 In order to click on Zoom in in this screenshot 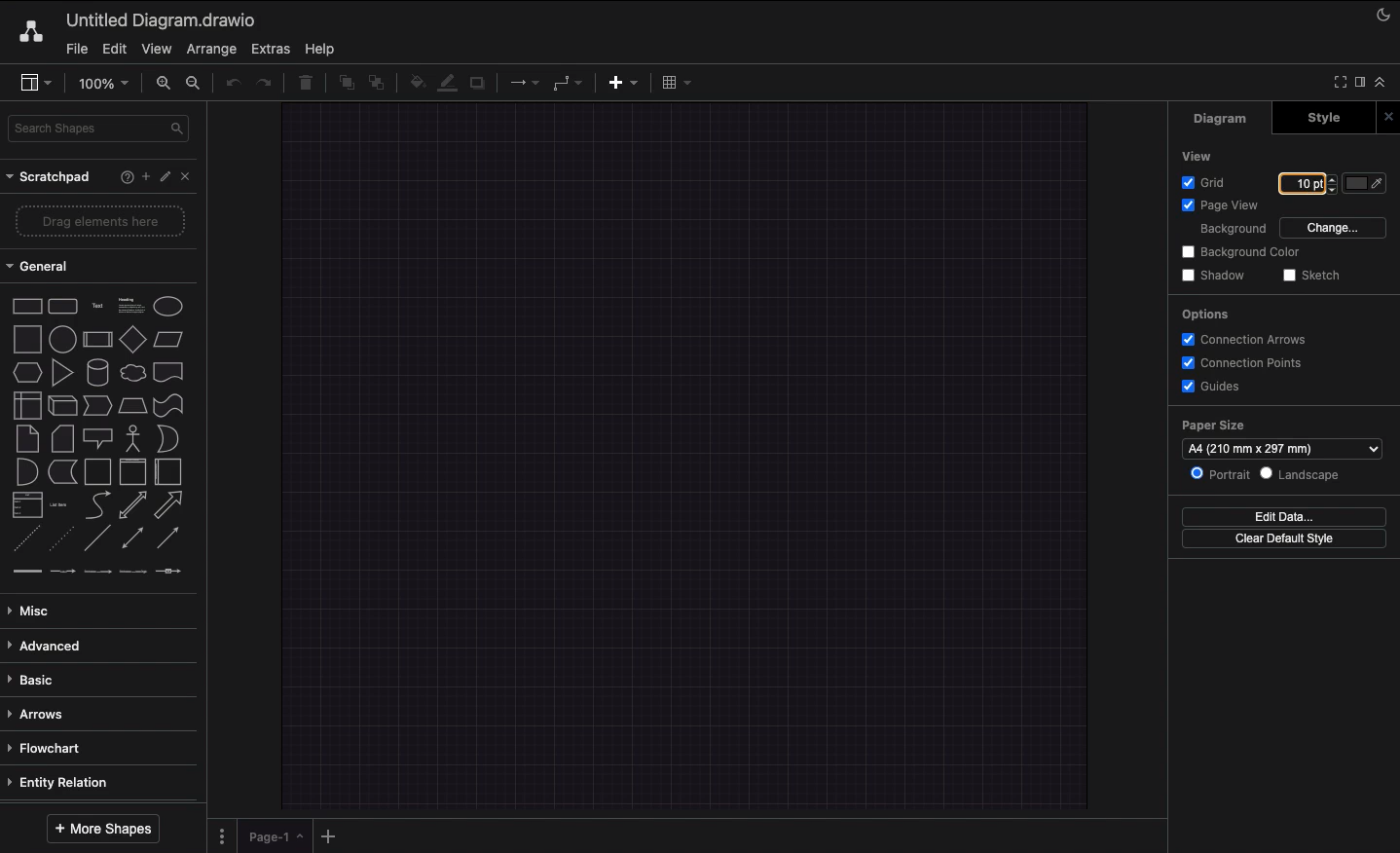, I will do `click(162, 83)`.